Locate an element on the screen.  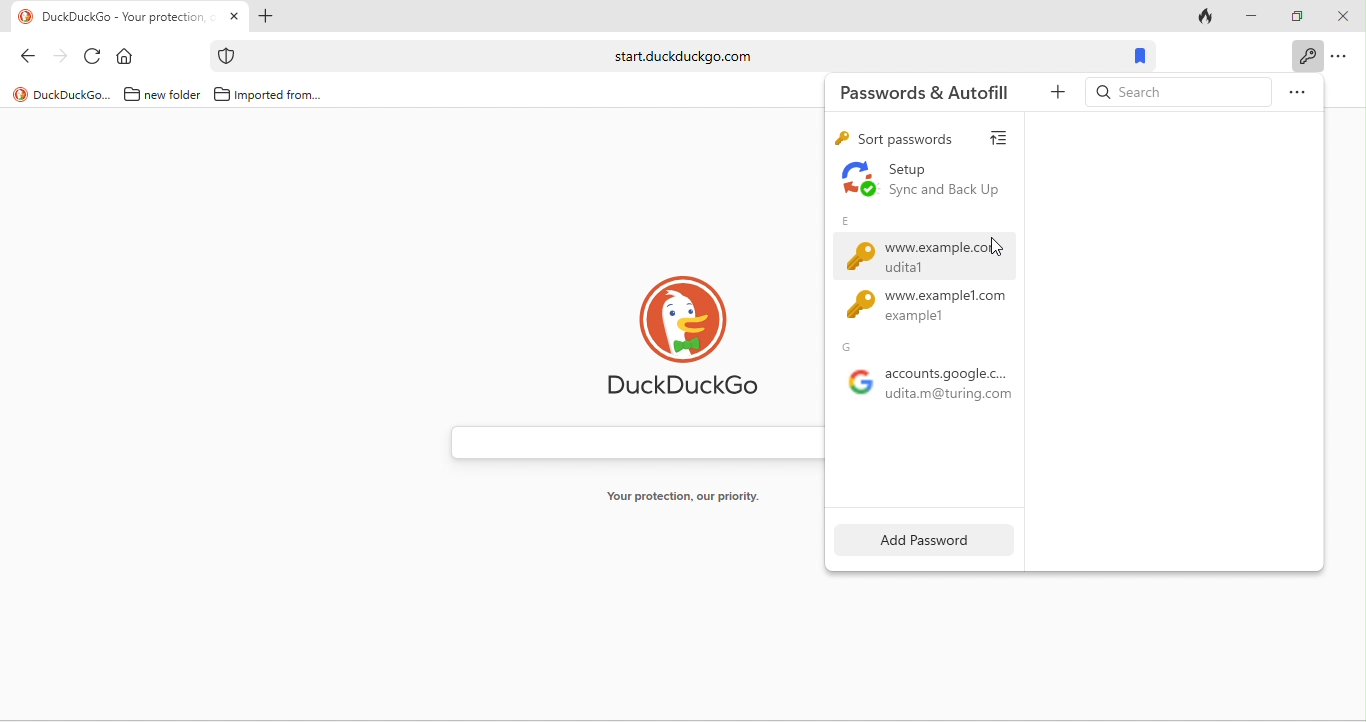
Removed a saved password for Facebook.com. is located at coordinates (938, 361).